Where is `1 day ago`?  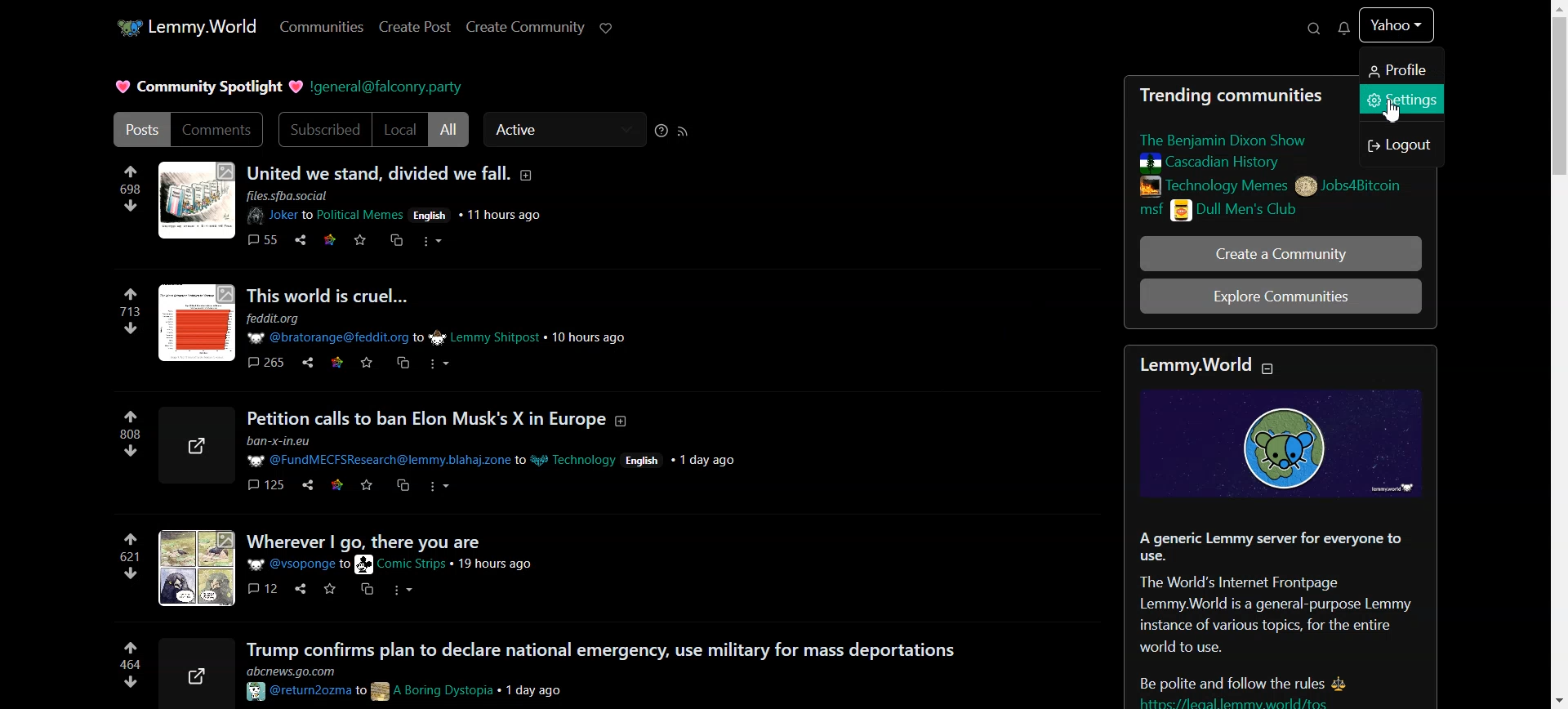
1 day ago is located at coordinates (547, 692).